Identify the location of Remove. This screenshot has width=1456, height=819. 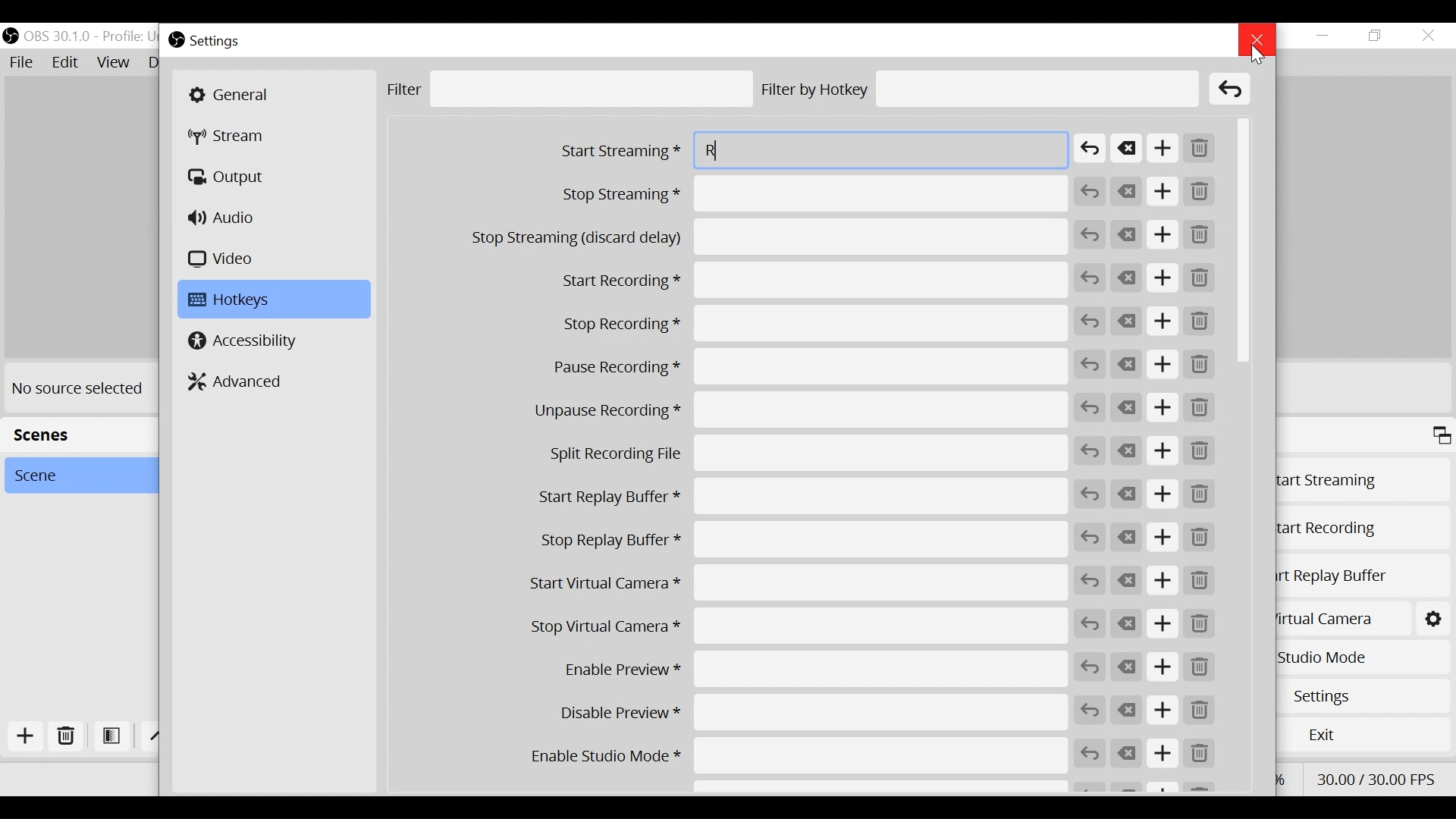
(1200, 495).